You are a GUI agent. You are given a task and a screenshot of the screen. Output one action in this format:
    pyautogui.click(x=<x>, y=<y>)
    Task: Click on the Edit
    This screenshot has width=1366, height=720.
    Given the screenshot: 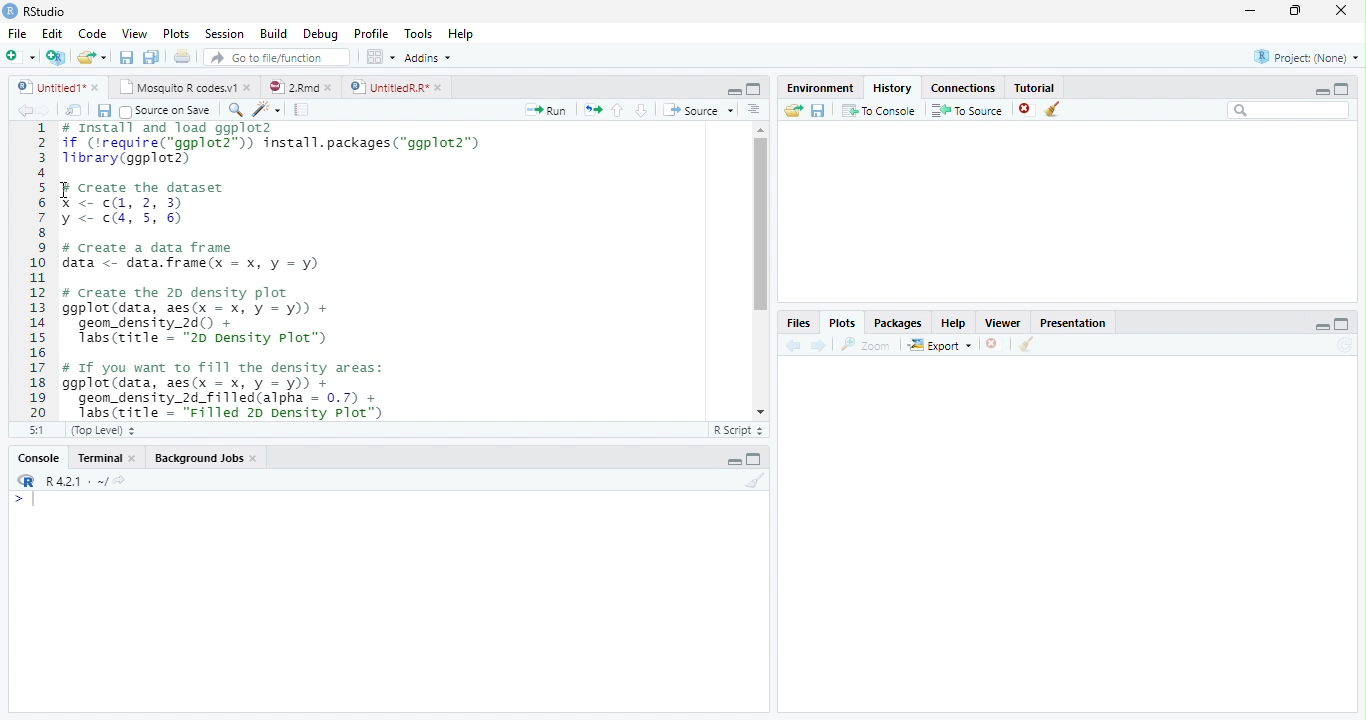 What is the action you would take?
    pyautogui.click(x=52, y=34)
    